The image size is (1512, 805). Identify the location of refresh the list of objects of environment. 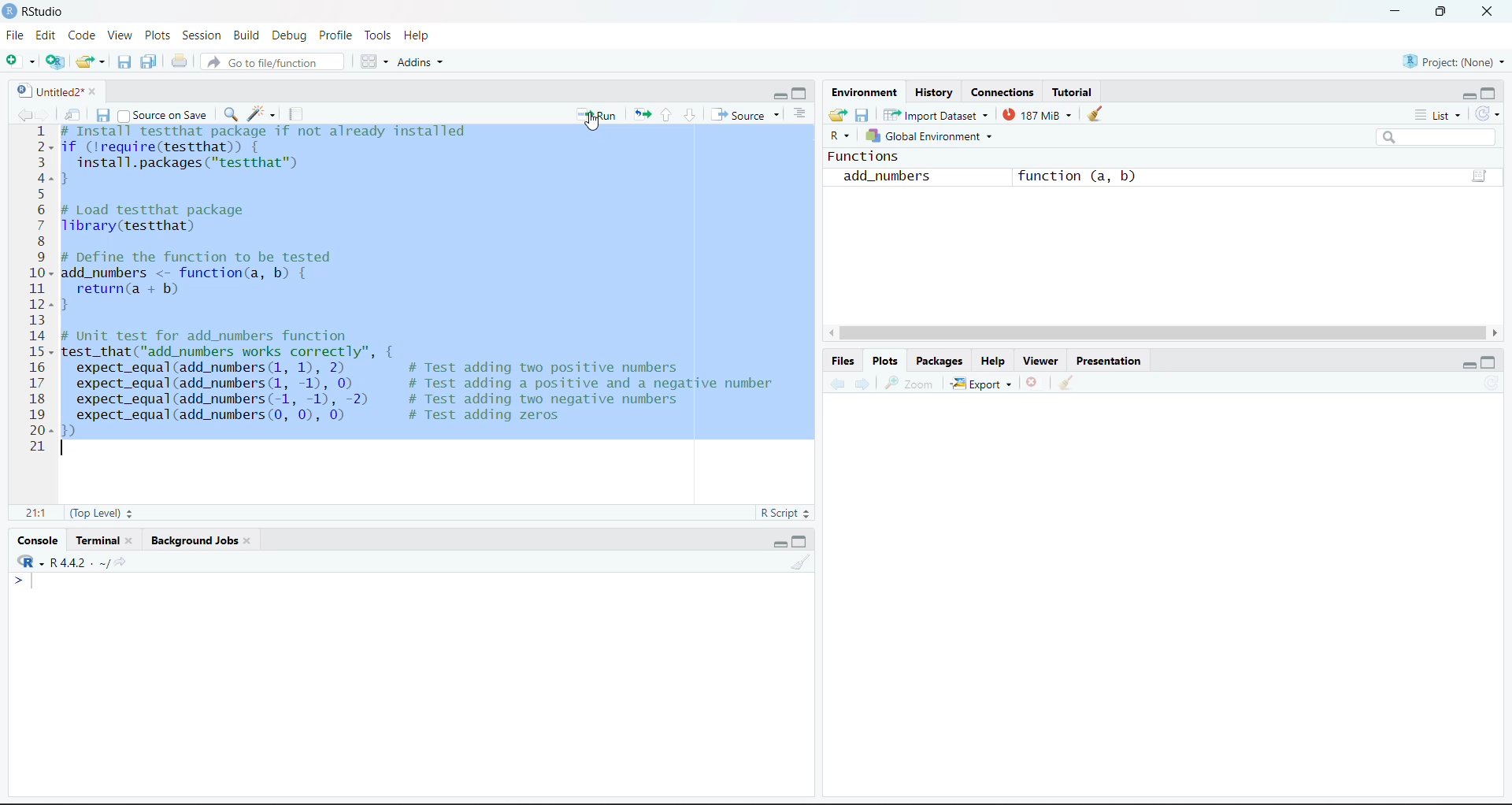
(1488, 114).